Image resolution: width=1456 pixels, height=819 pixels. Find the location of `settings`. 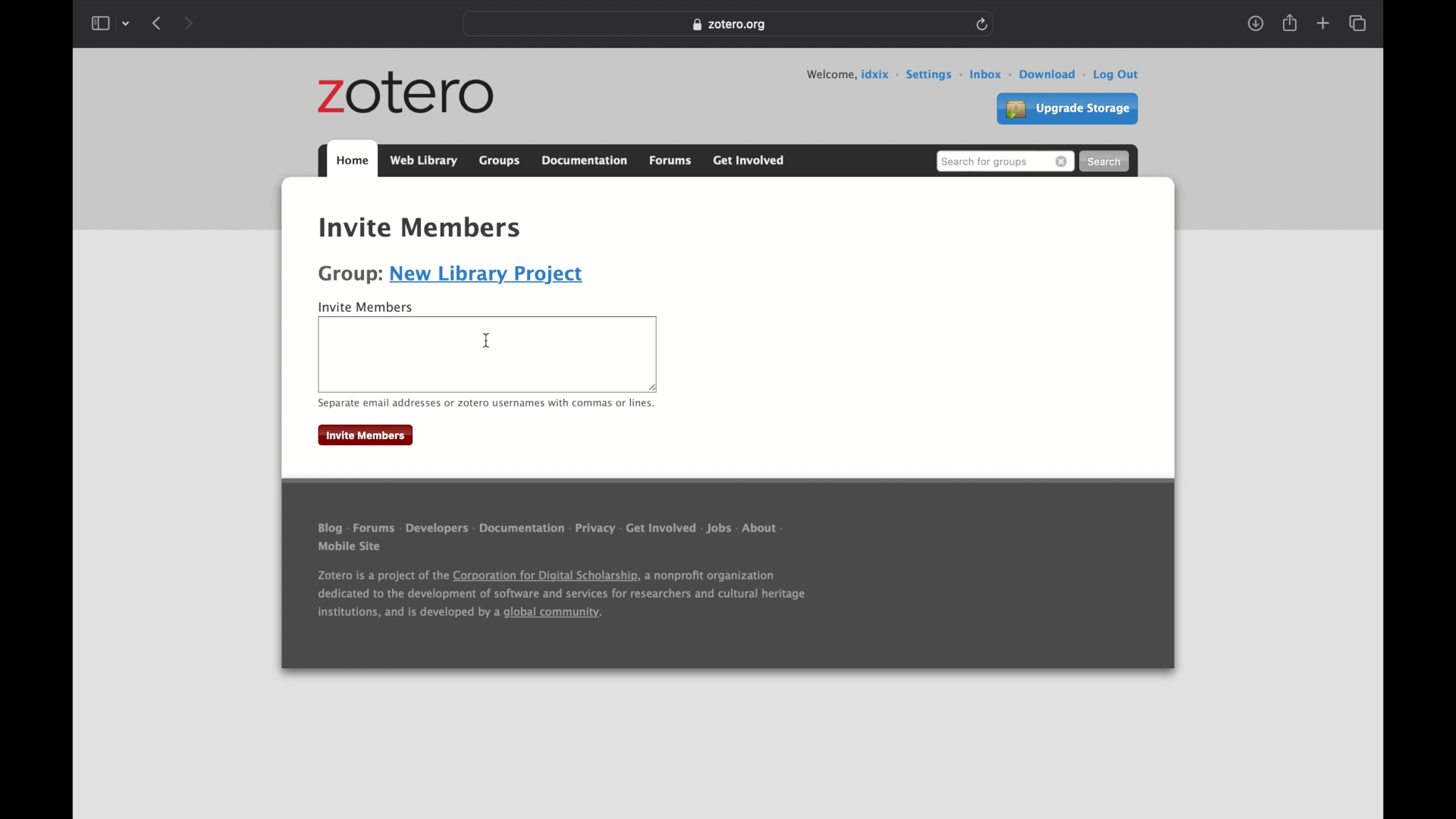

settings is located at coordinates (934, 74).